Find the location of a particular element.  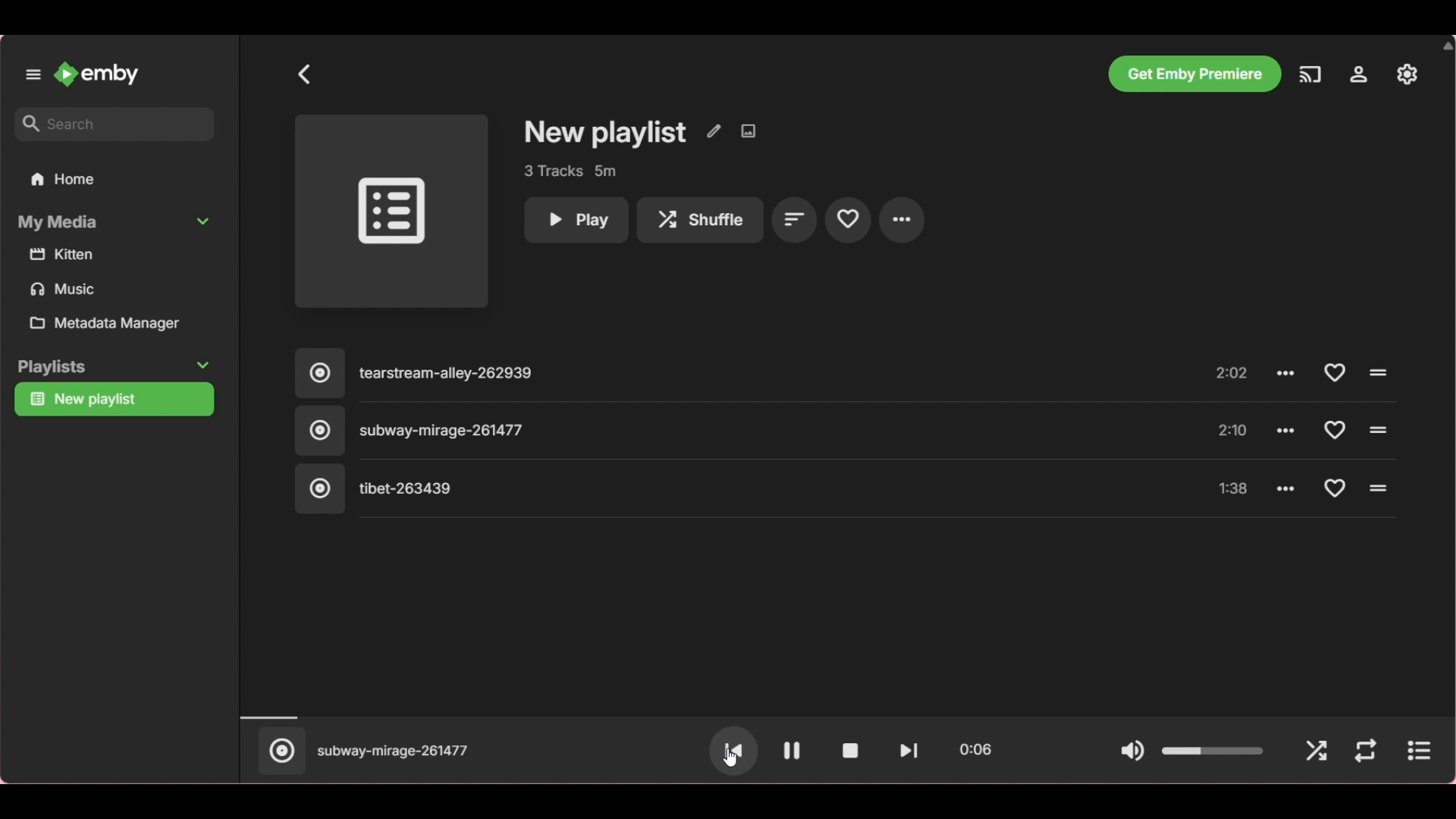

Go to home is located at coordinates (96, 74).